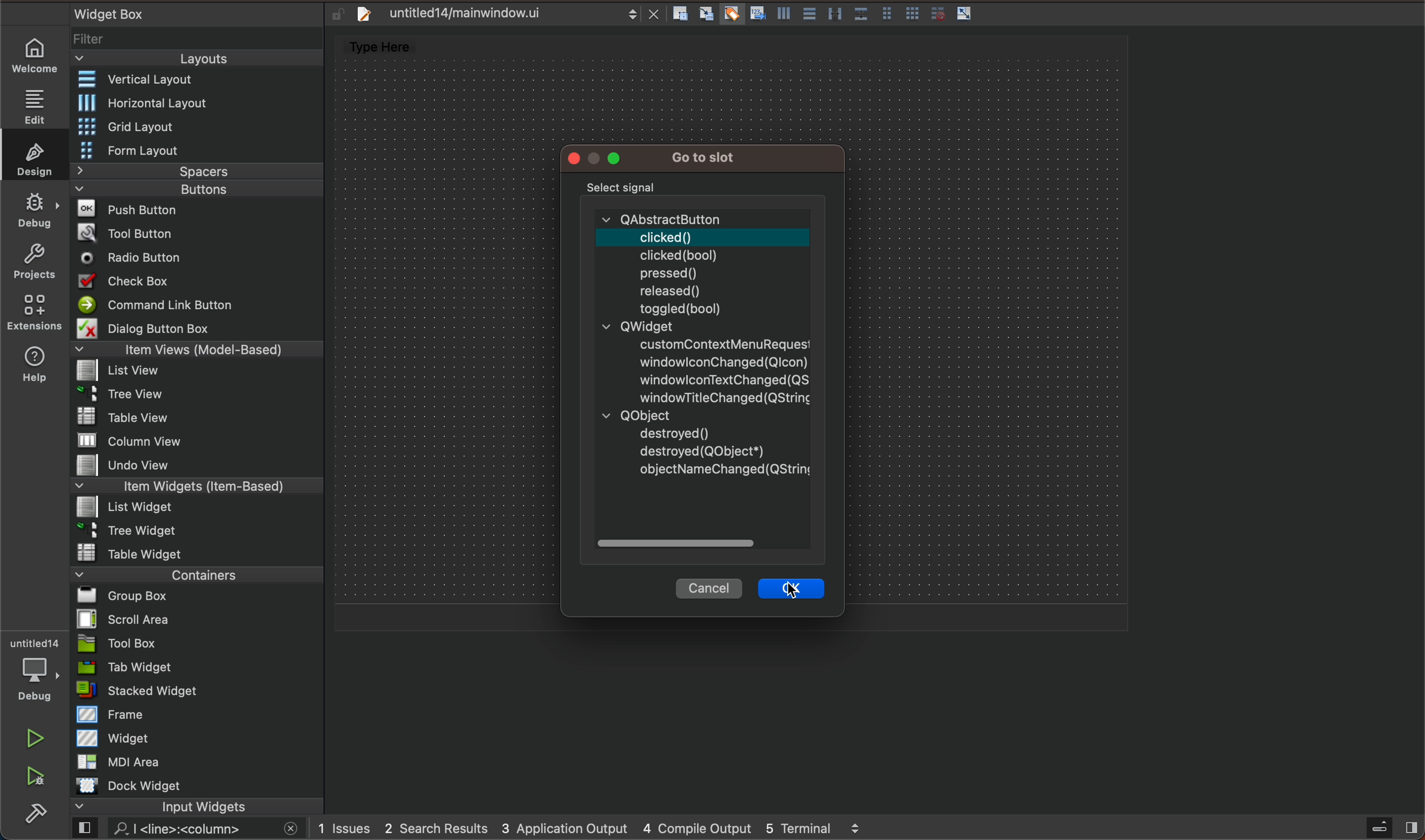  Describe the element at coordinates (200, 38) in the screenshot. I see `filter` at that location.